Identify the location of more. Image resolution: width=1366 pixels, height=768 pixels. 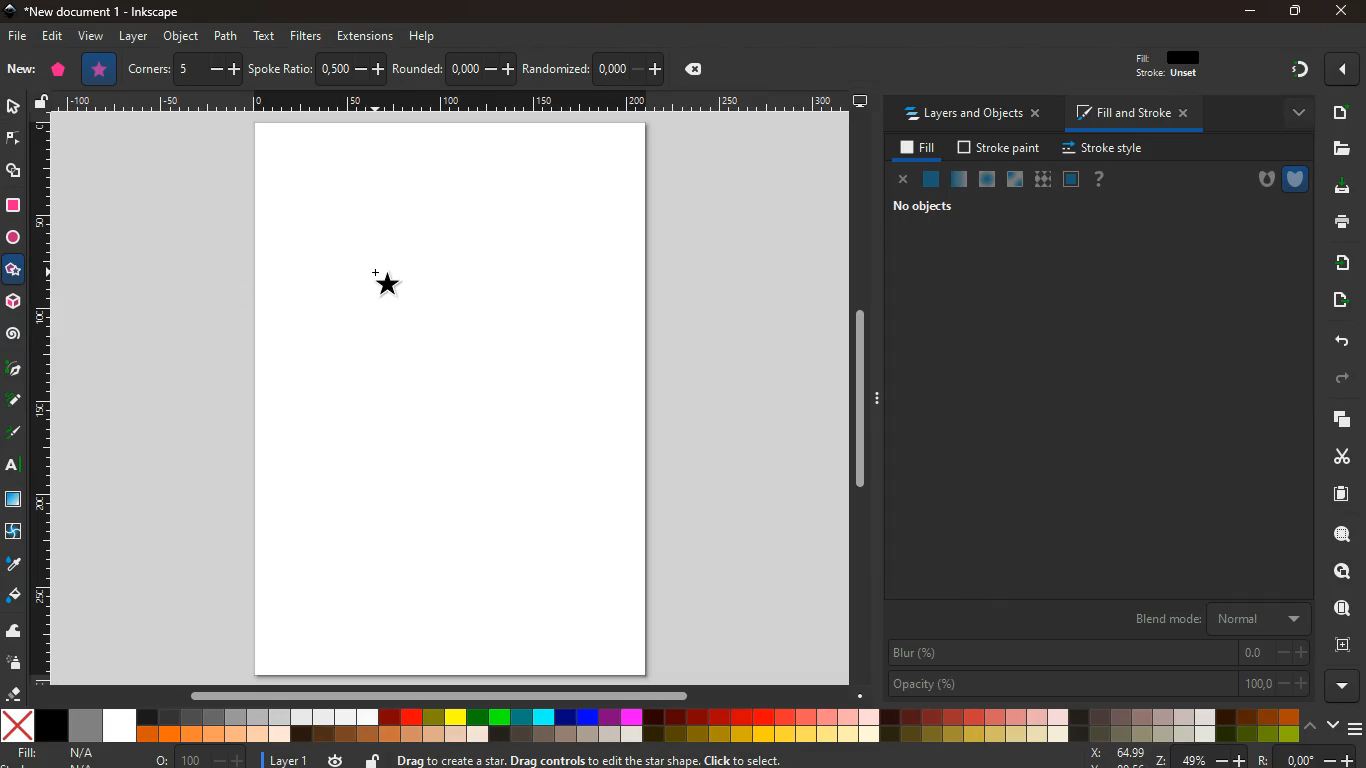
(1290, 114).